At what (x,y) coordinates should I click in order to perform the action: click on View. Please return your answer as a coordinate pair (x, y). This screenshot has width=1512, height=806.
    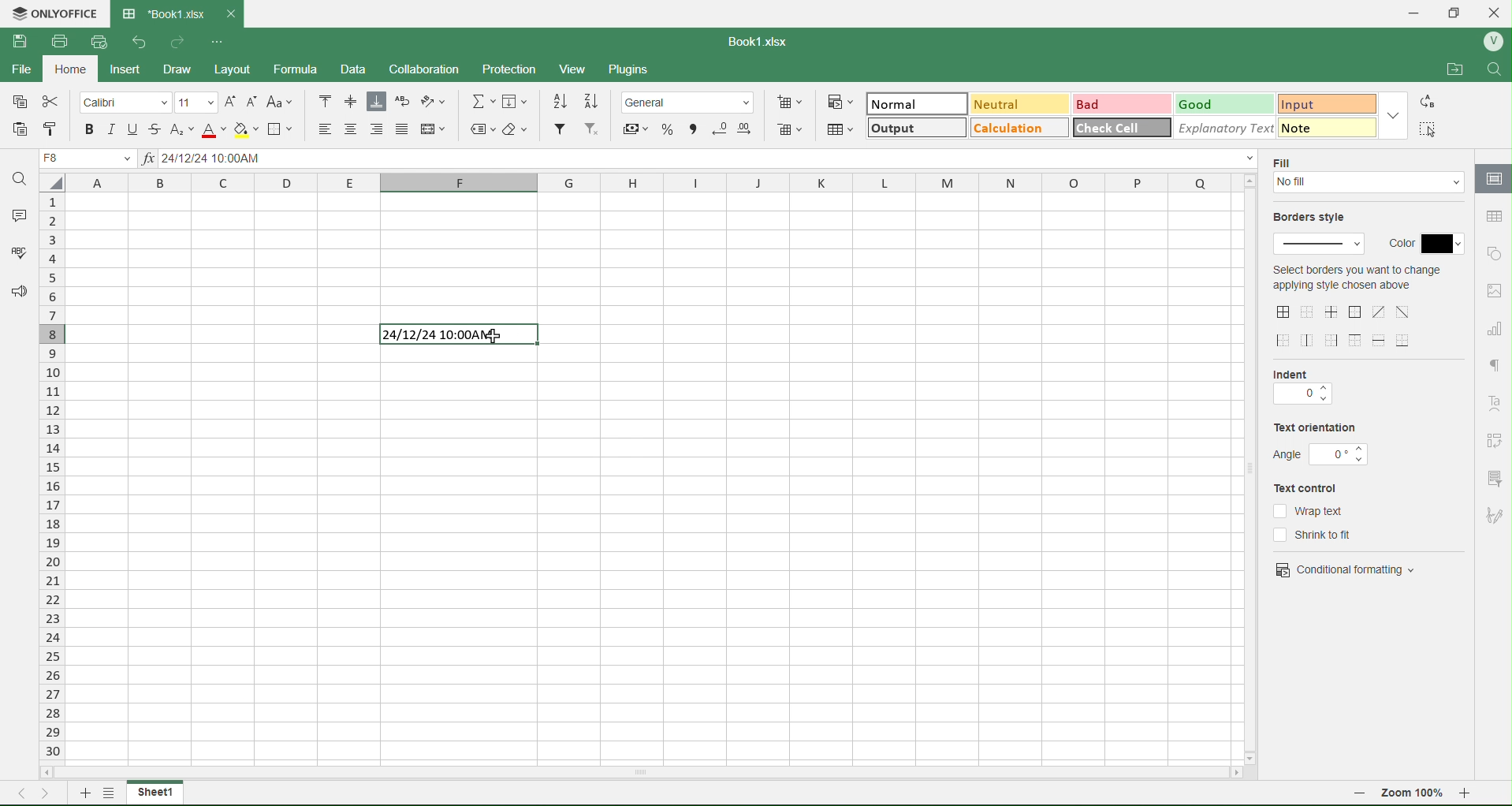
    Looking at the image, I should click on (580, 69).